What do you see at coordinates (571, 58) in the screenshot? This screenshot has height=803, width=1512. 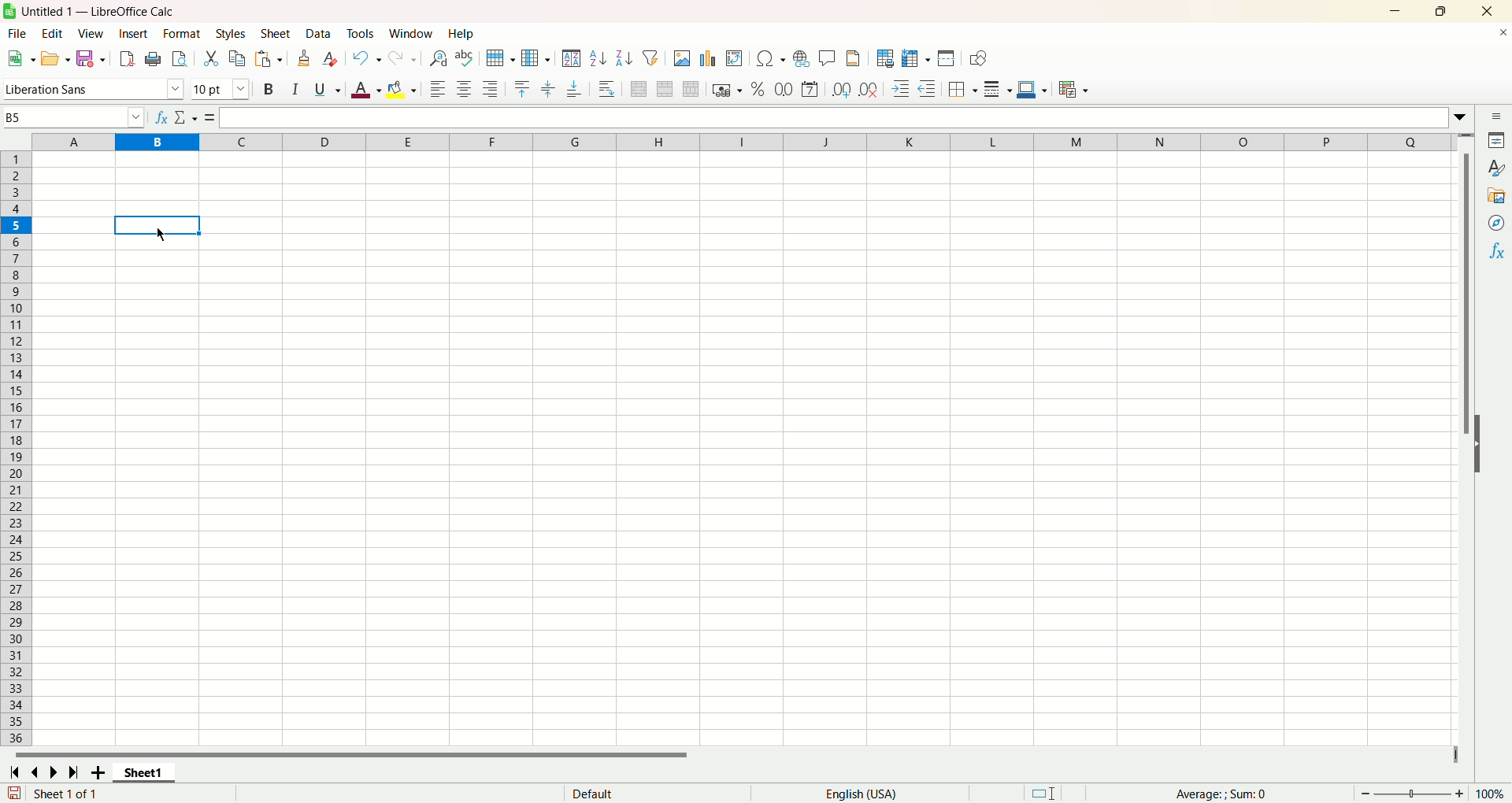 I see `sort` at bounding box center [571, 58].